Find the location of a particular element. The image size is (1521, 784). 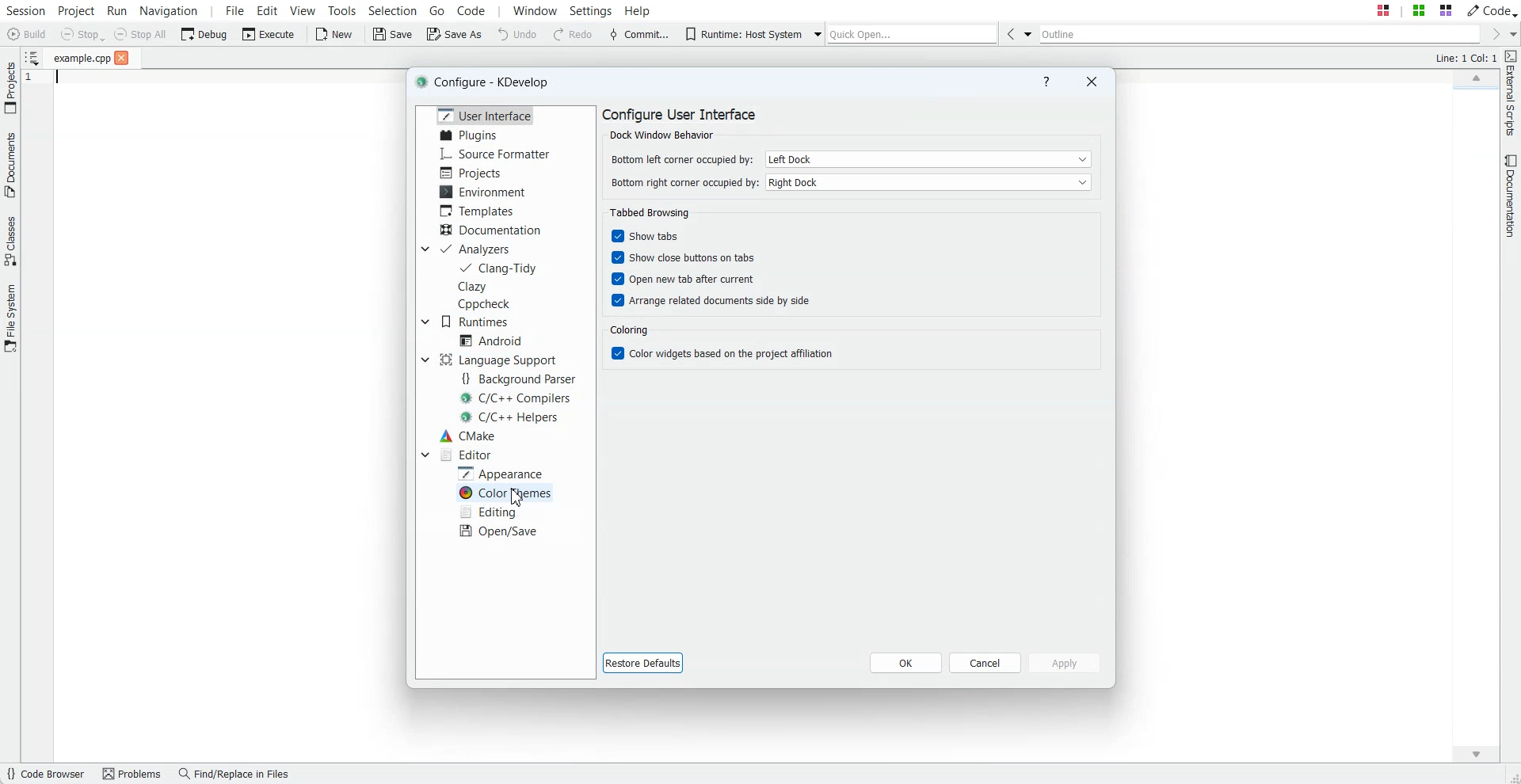

Drop down box is located at coordinates (1027, 33).